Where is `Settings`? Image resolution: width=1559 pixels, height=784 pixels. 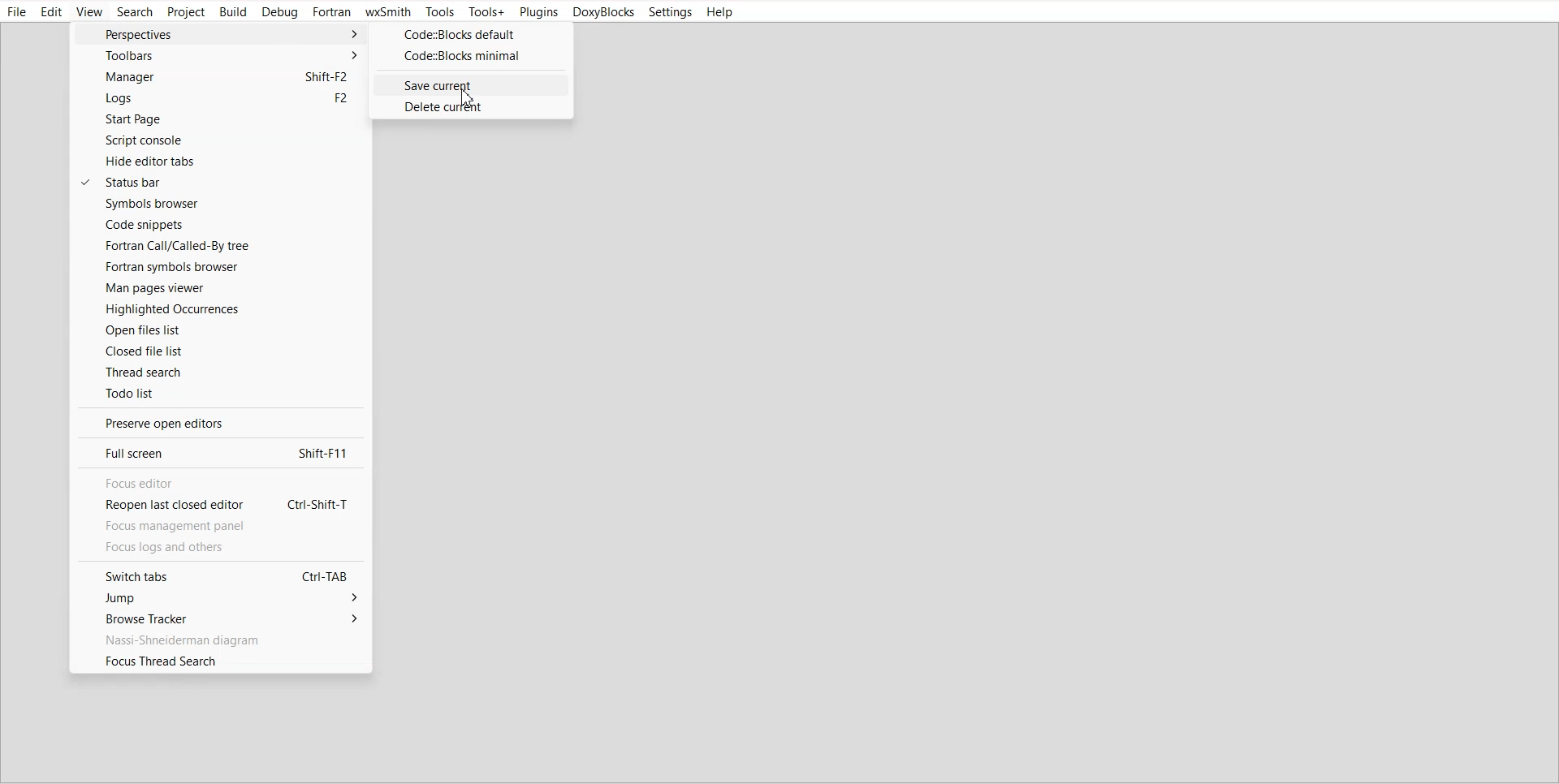 Settings is located at coordinates (671, 12).